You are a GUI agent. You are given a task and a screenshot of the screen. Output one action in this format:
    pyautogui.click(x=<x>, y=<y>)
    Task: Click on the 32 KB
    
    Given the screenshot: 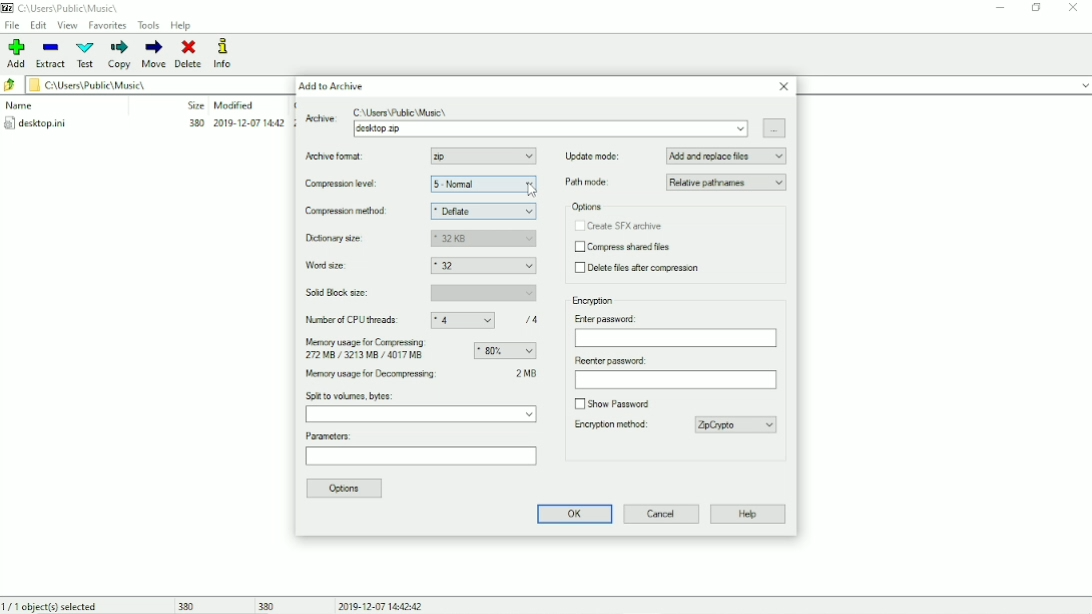 What is the action you would take?
    pyautogui.click(x=483, y=239)
    